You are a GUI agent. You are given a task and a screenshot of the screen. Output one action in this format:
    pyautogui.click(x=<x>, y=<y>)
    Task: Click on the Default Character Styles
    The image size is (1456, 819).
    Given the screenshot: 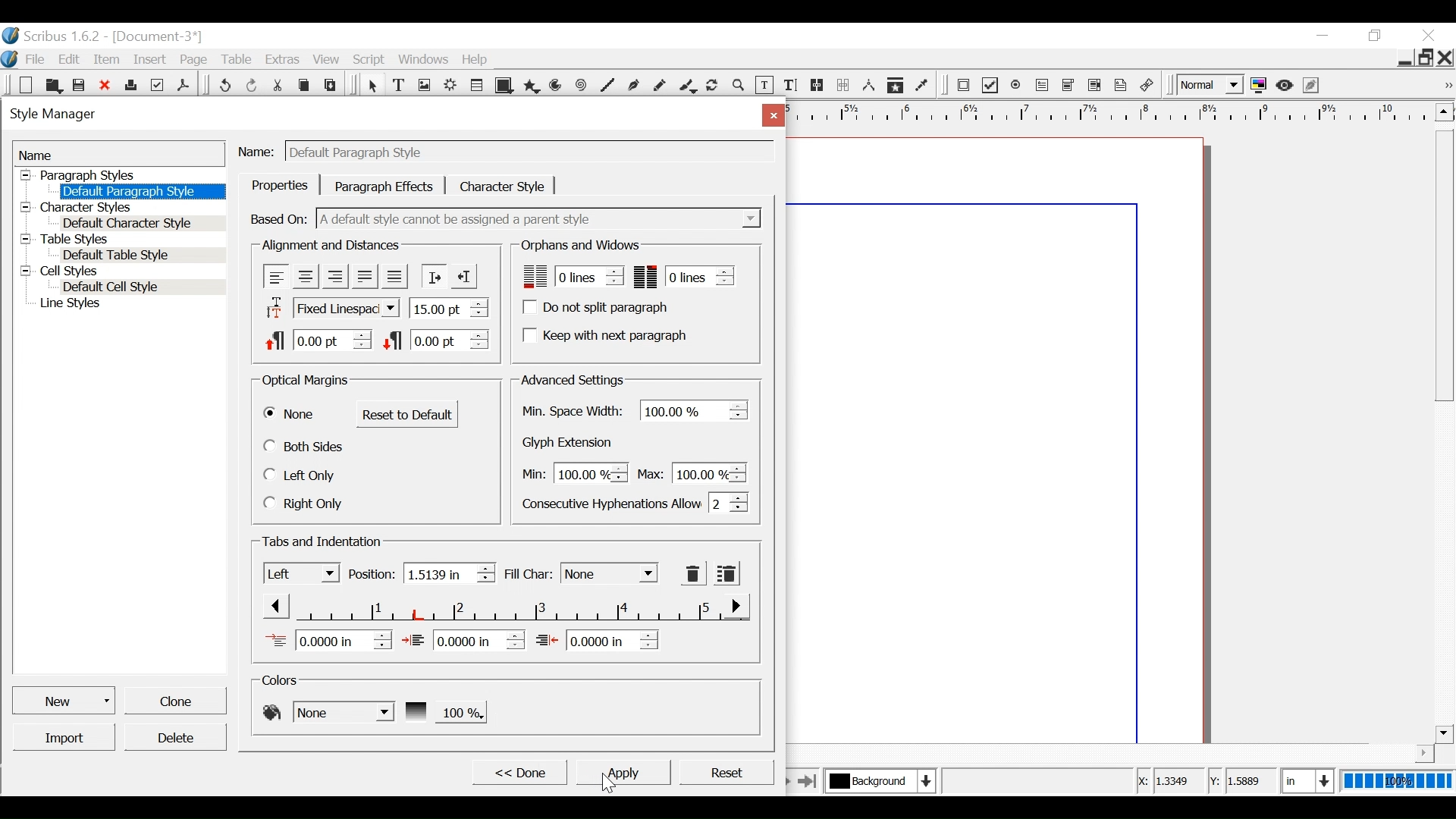 What is the action you would take?
    pyautogui.click(x=142, y=224)
    